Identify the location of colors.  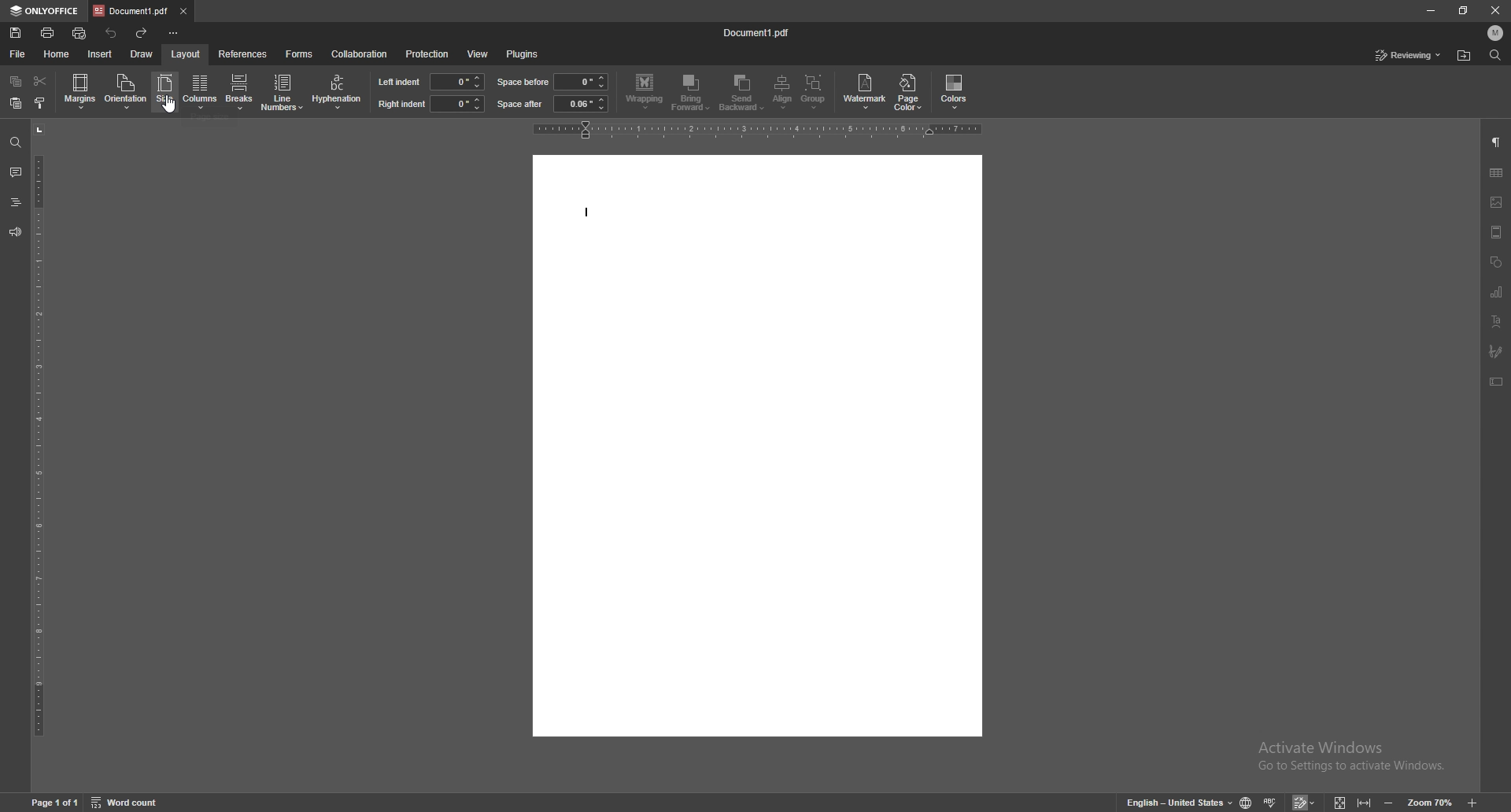
(955, 92).